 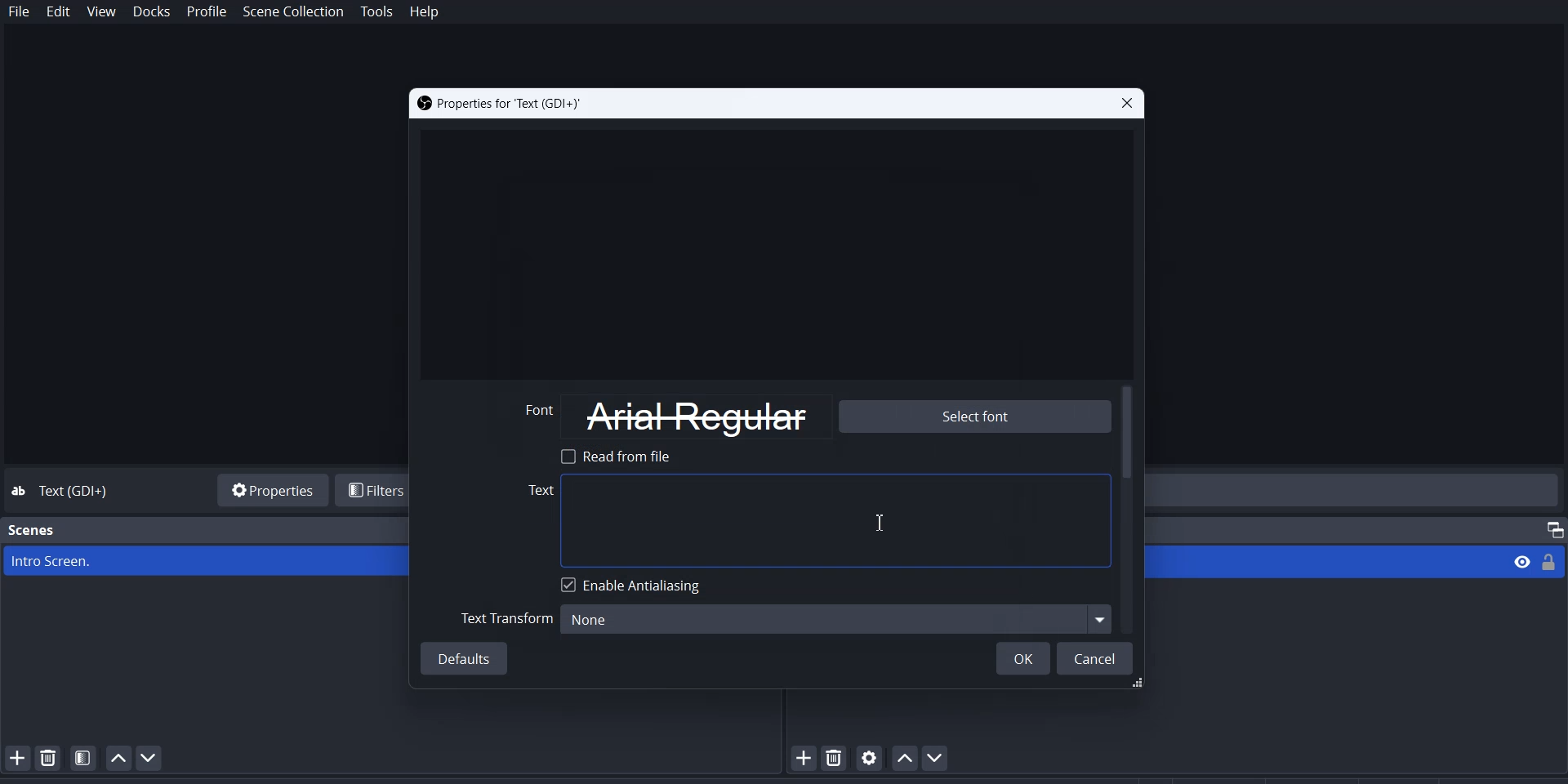 I want to click on Filters, so click(x=375, y=490).